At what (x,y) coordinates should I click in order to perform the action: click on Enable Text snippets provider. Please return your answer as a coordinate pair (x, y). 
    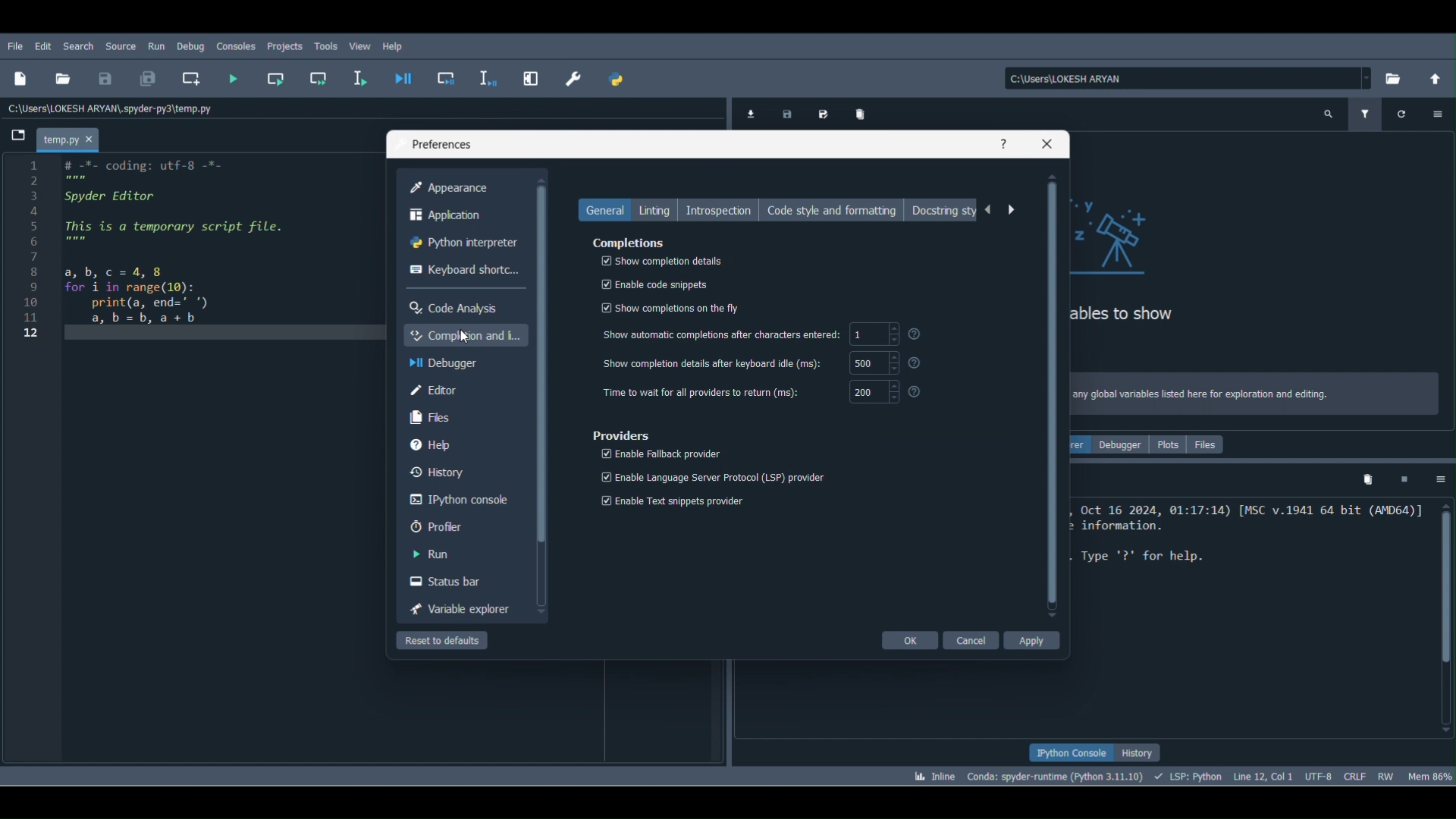
    Looking at the image, I should click on (670, 500).